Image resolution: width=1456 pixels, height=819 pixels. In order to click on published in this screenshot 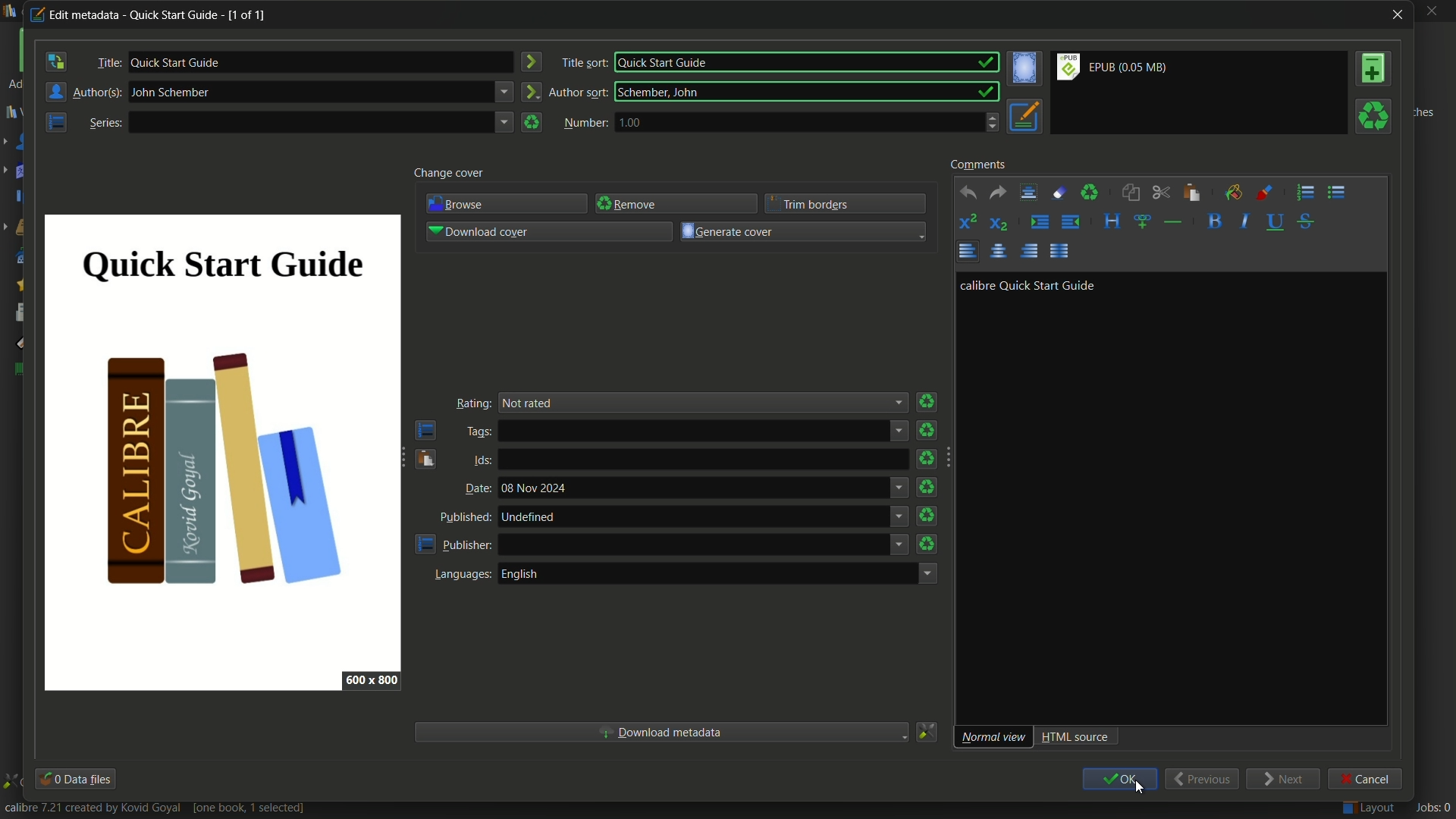, I will do `click(466, 518)`.